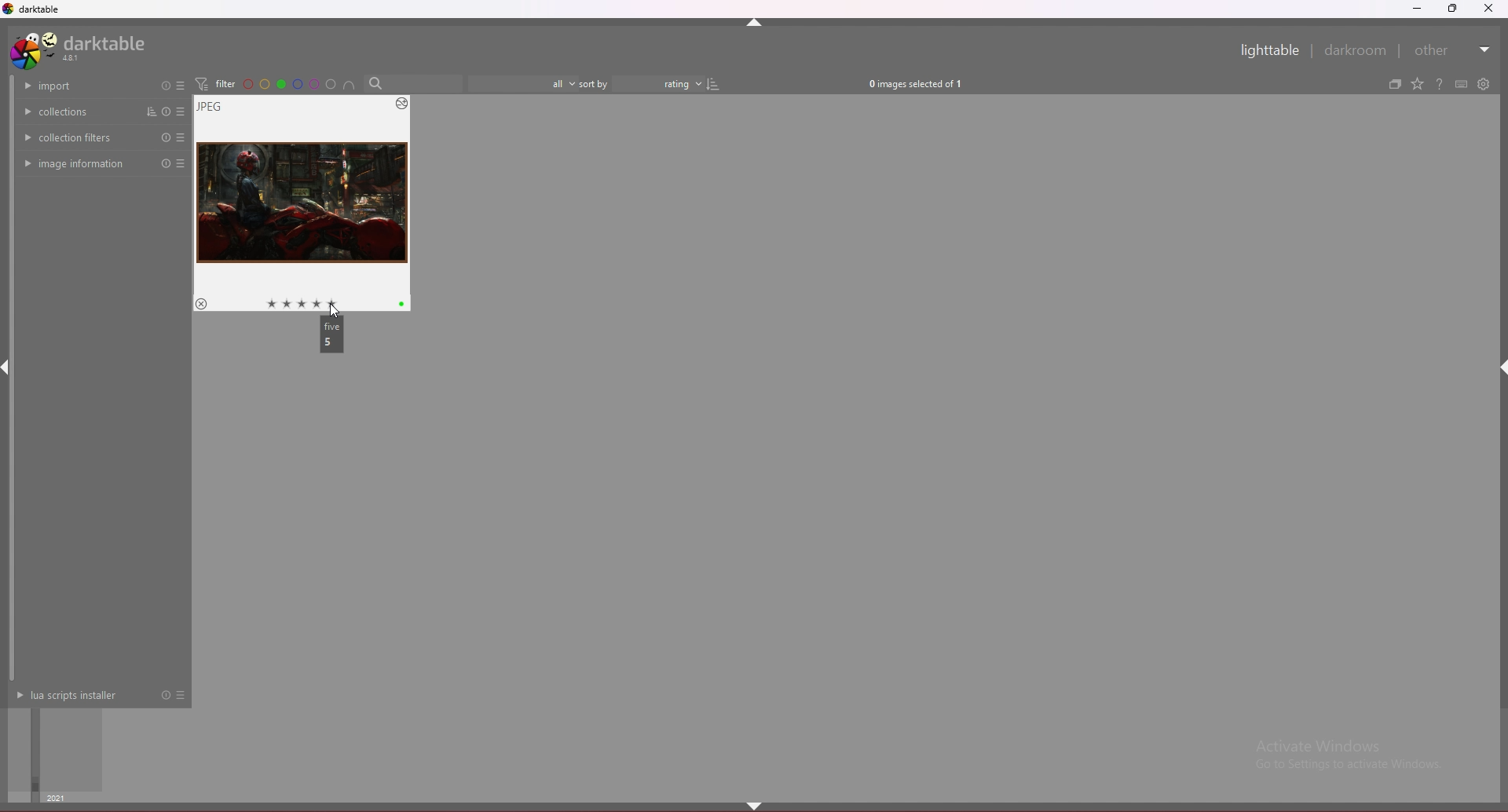  Describe the element at coordinates (1507, 367) in the screenshot. I see `hide` at that location.